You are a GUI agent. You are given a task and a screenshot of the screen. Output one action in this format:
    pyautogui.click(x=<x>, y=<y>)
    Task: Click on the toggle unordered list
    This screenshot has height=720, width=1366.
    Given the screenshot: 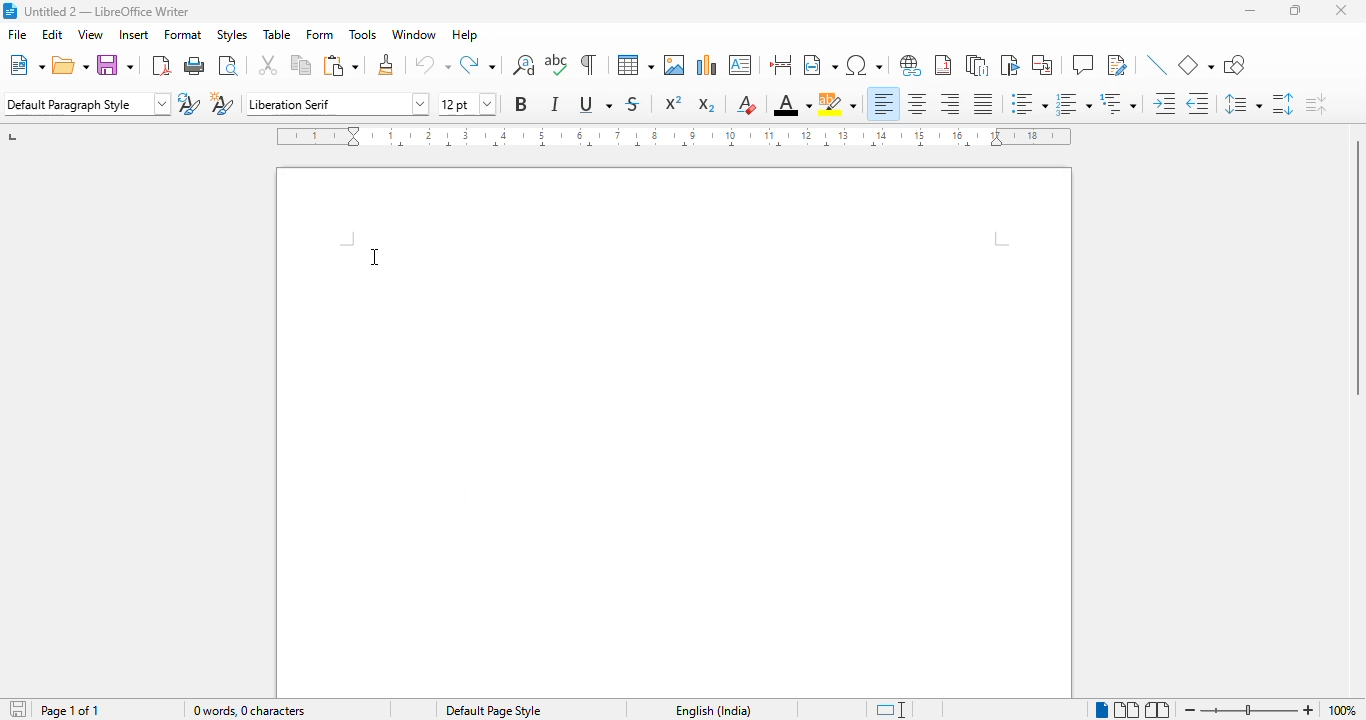 What is the action you would take?
    pyautogui.click(x=1029, y=103)
    